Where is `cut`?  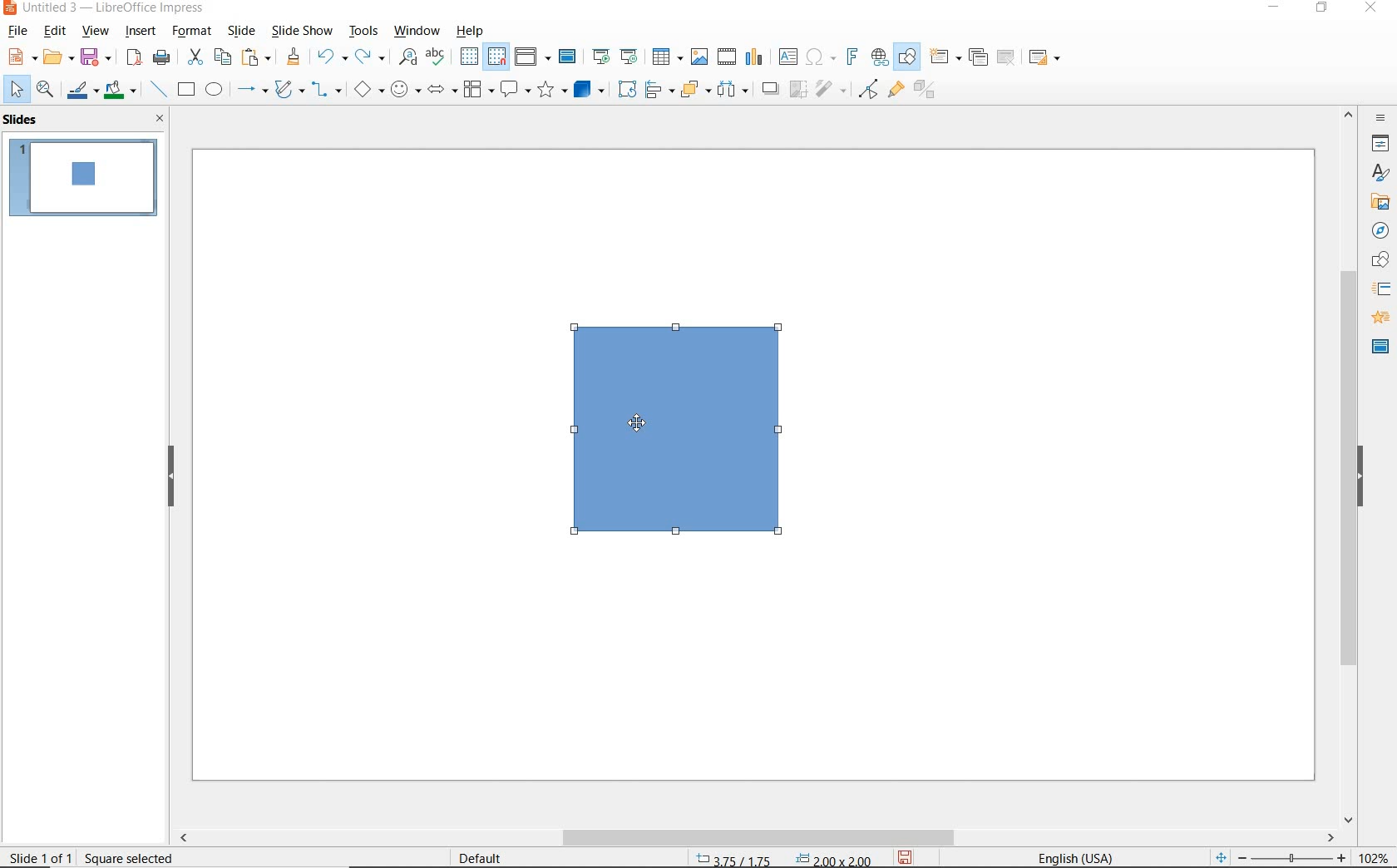 cut is located at coordinates (193, 57).